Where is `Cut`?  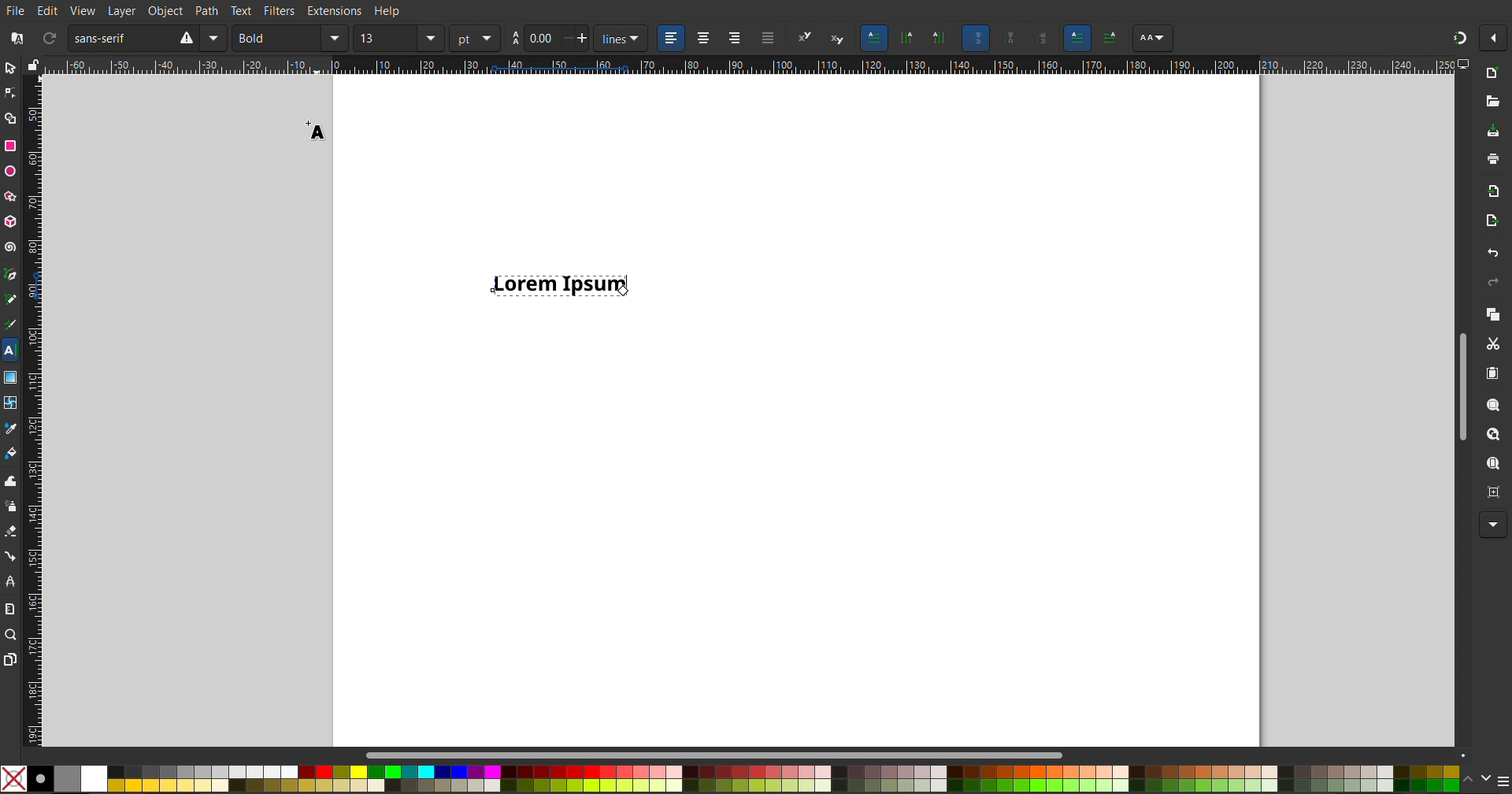 Cut is located at coordinates (1492, 343).